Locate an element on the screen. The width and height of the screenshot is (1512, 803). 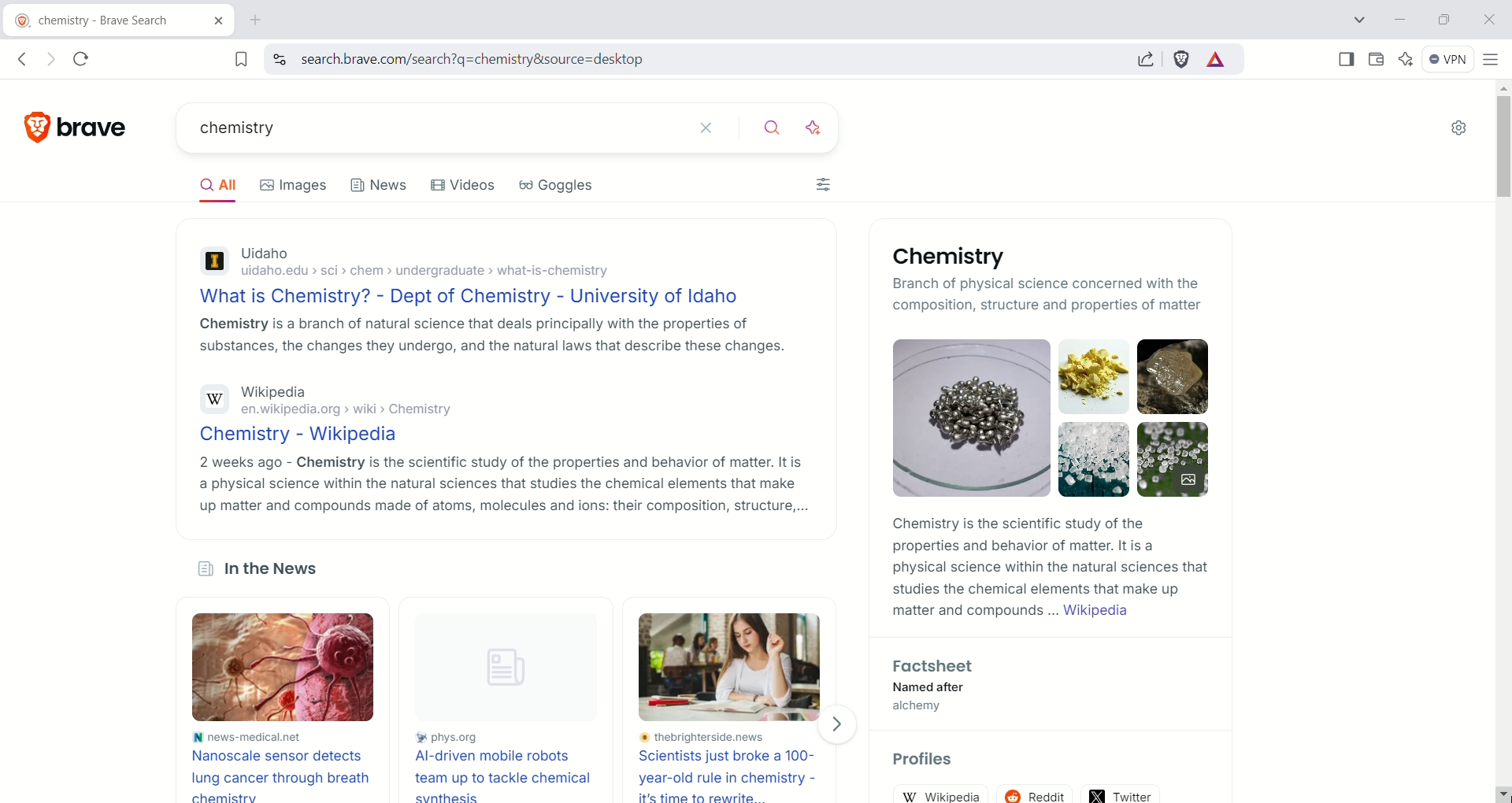
2 weeks ago - Chemistry is the scientific study of the properties and behavior of matter. It is a physical science within the natural sciences that studies the chemical elements that make up matter and compounds made of atoms, molecules and ions: their composition, structure, is located at coordinates (502, 484).